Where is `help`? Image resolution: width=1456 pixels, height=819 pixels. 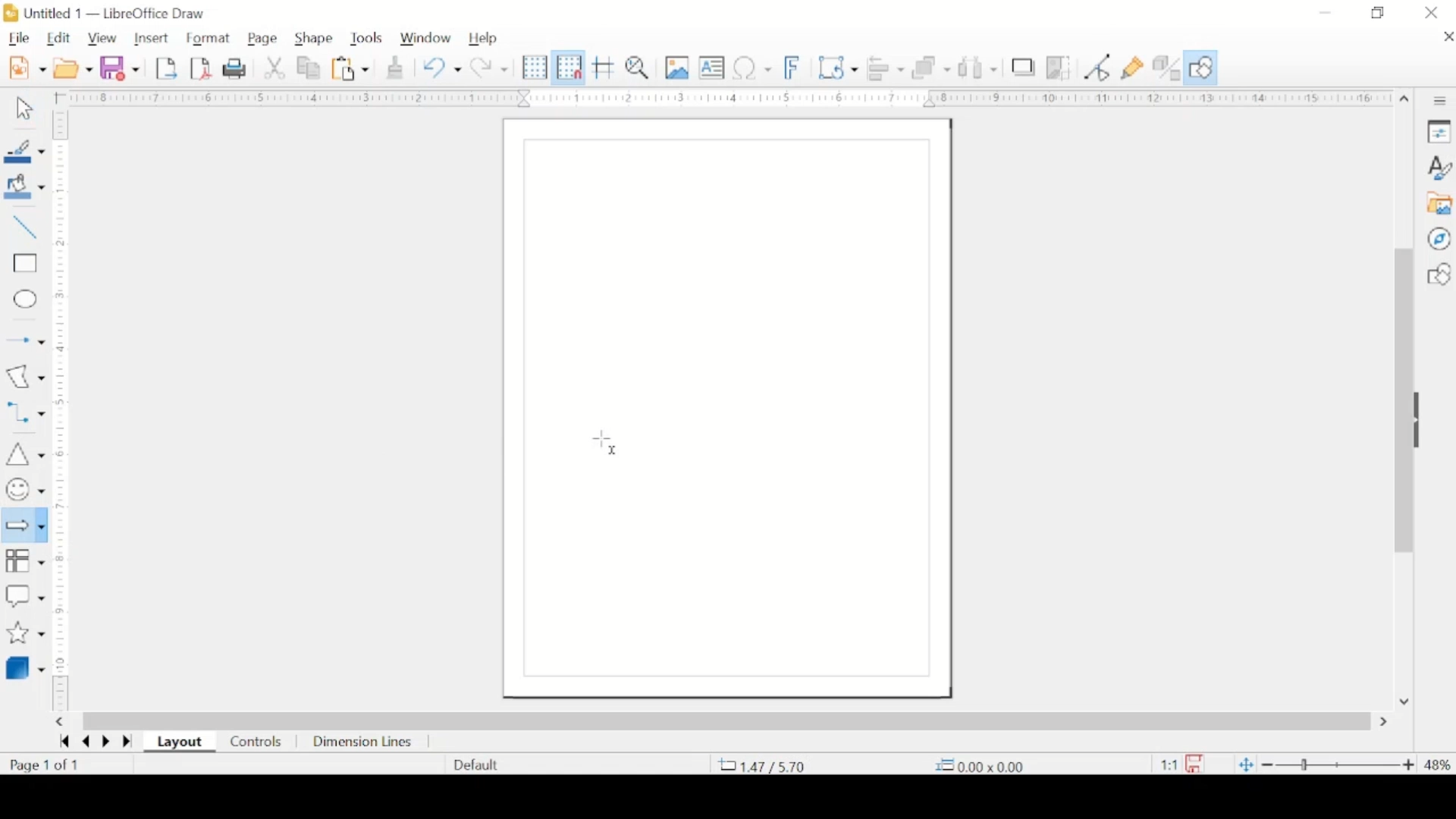
help is located at coordinates (483, 39).